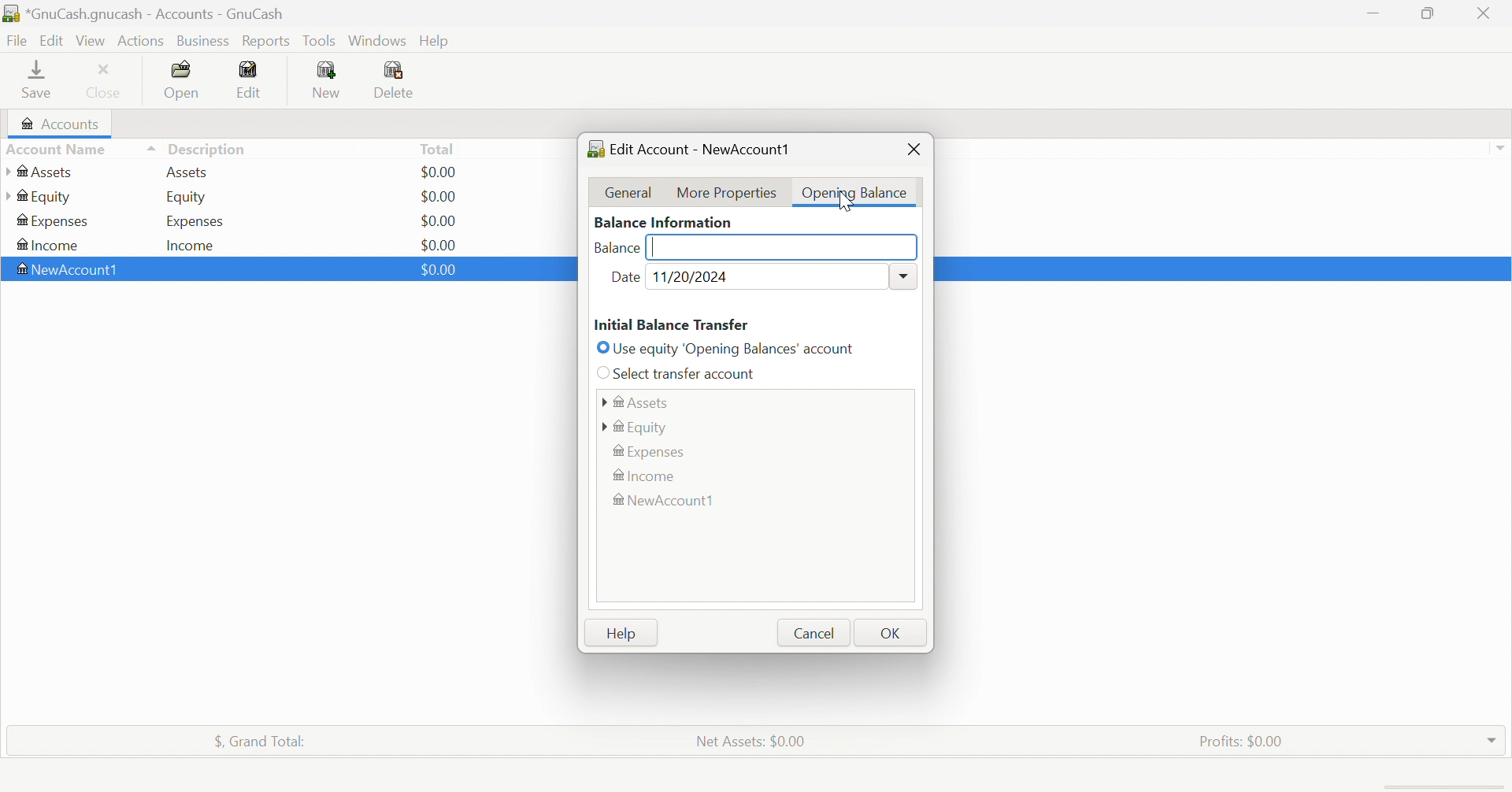 Image resolution: width=1512 pixels, height=792 pixels. Describe the element at coordinates (912, 149) in the screenshot. I see `close` at that location.